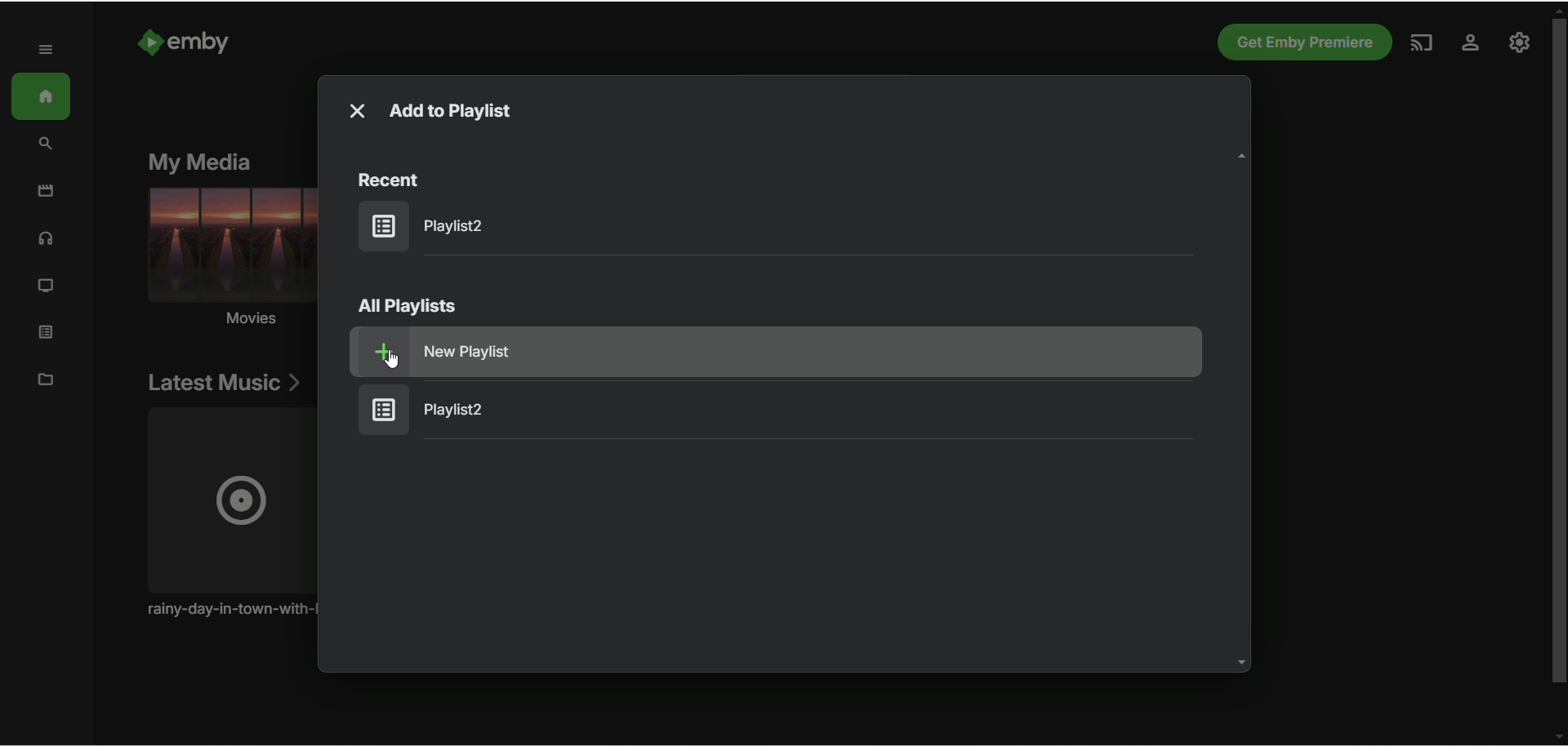 The width and height of the screenshot is (1568, 746). I want to click on manage metadata, so click(46, 379).